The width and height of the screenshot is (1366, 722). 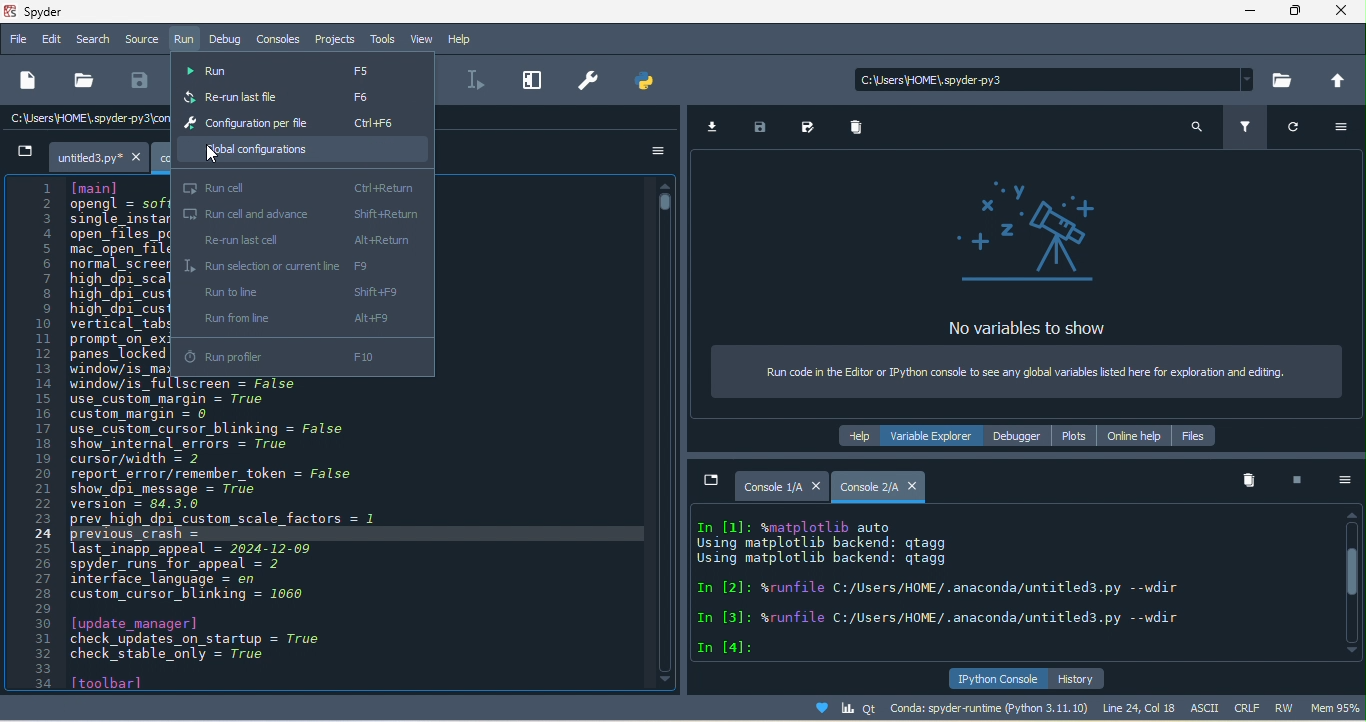 I want to click on history, so click(x=1080, y=681).